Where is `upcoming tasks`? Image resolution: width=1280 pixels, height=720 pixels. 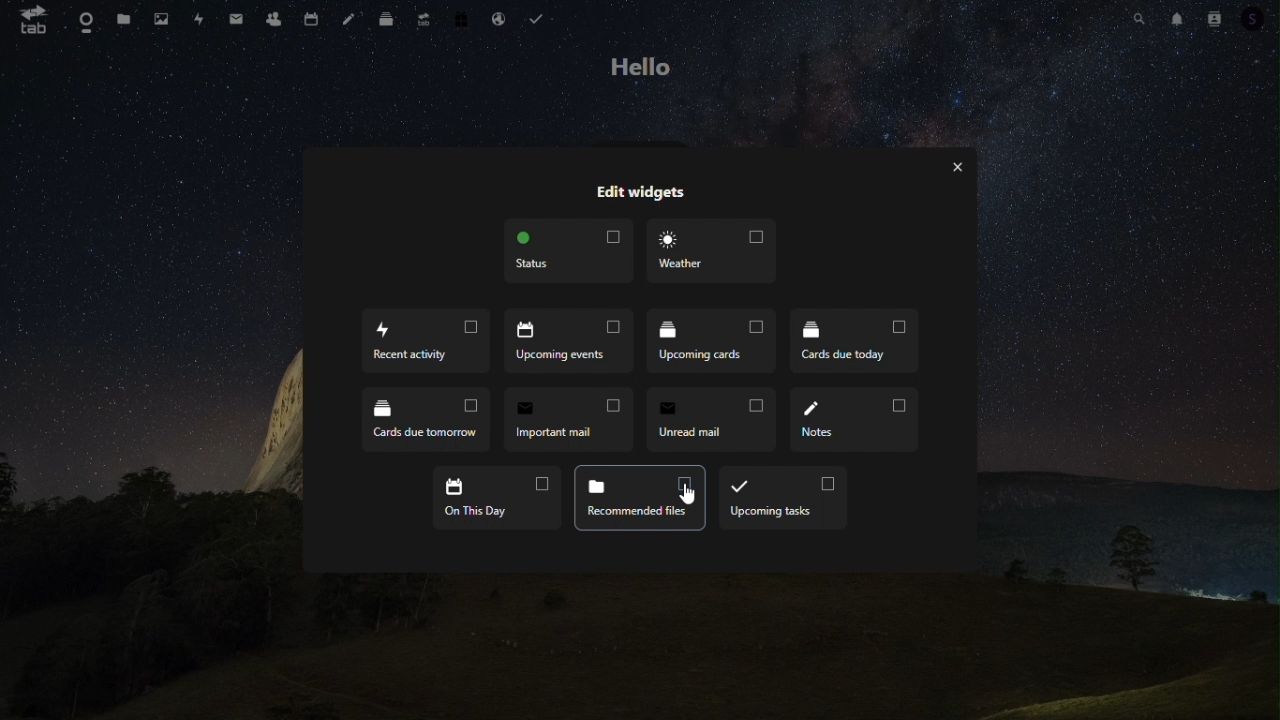 upcoming tasks is located at coordinates (783, 499).